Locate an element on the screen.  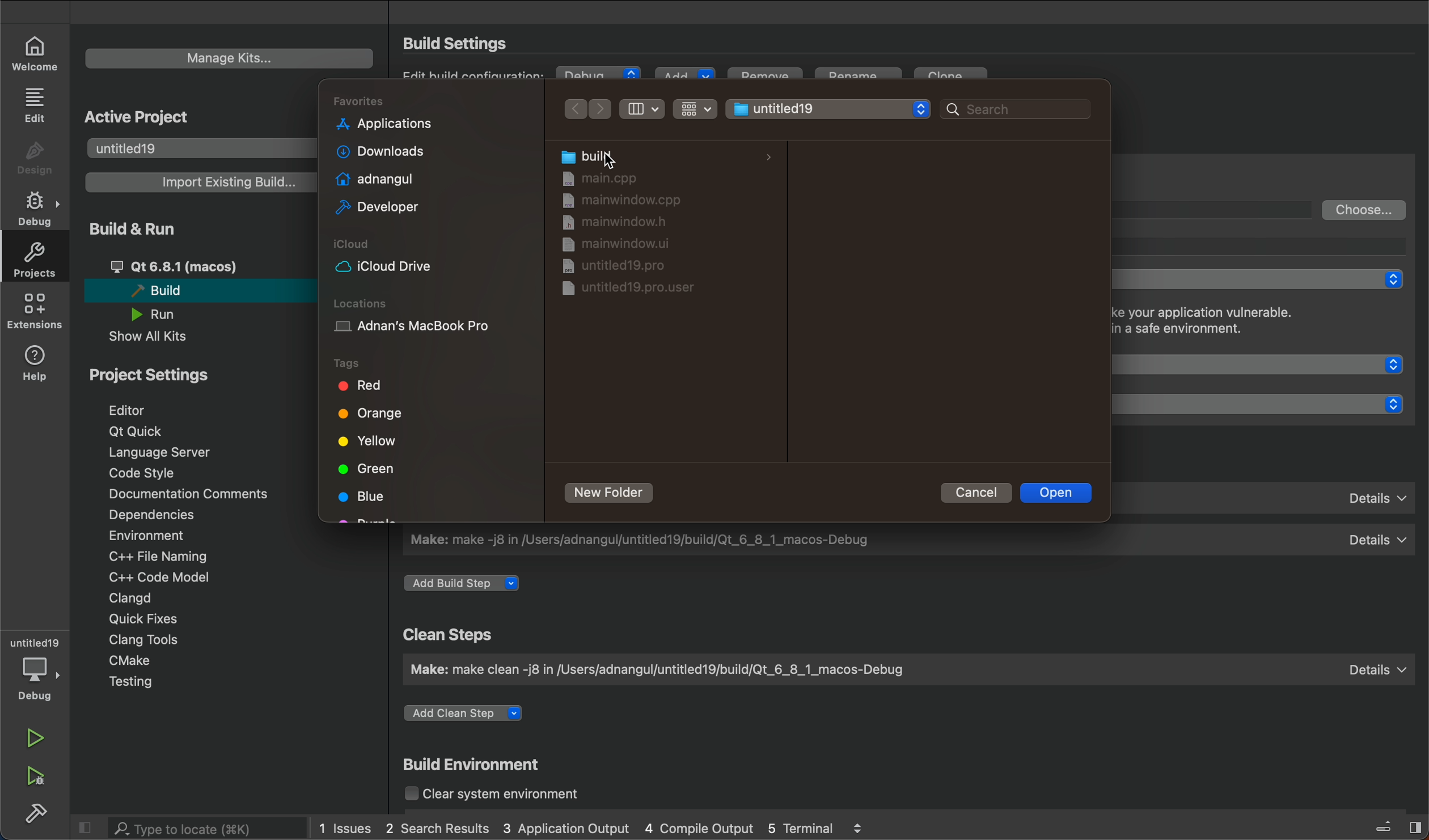
WELCOME is located at coordinates (36, 52).